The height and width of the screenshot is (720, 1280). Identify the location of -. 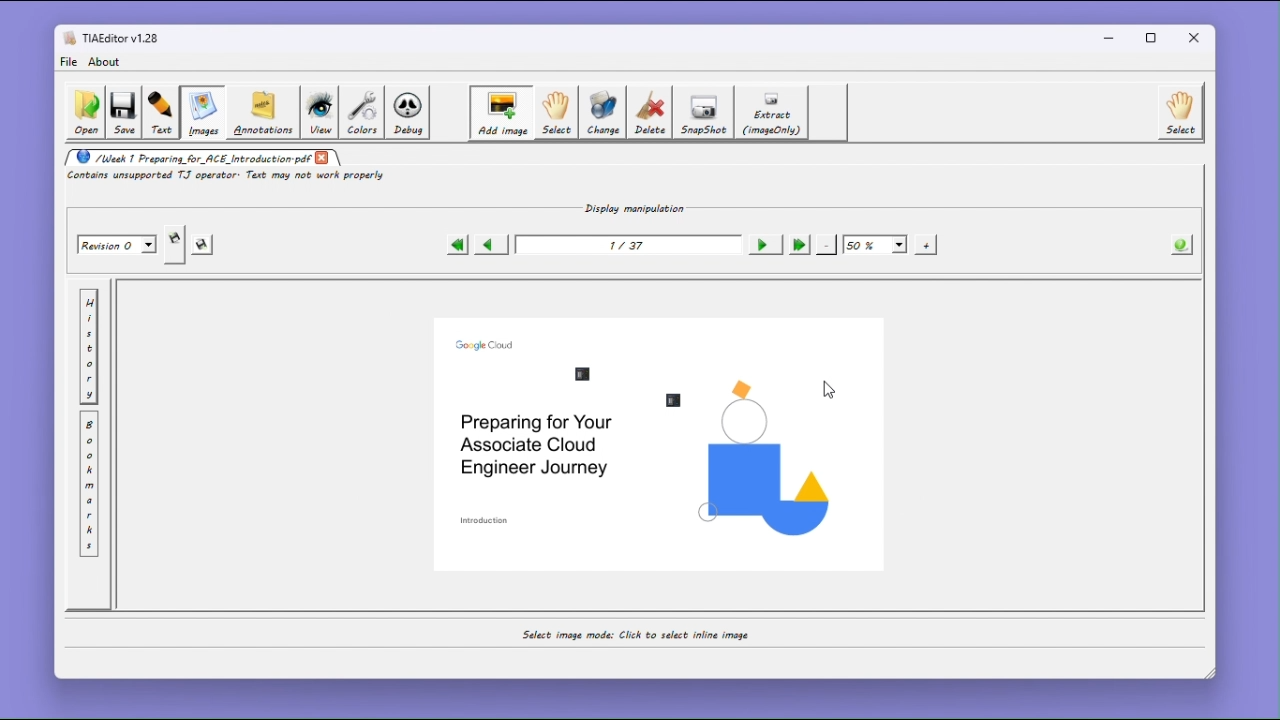
(827, 243).